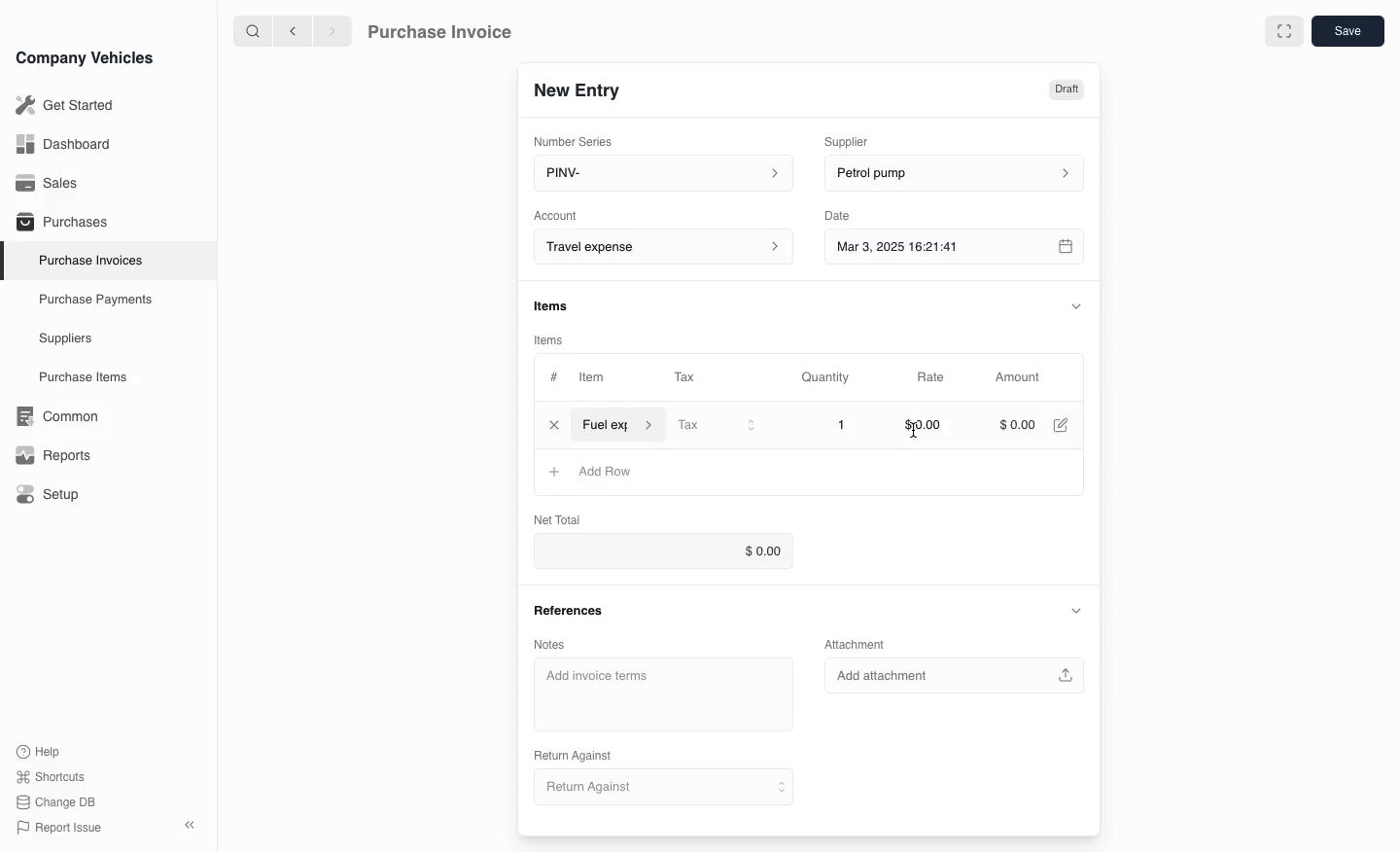  Describe the element at coordinates (57, 224) in the screenshot. I see `Purchases` at that location.